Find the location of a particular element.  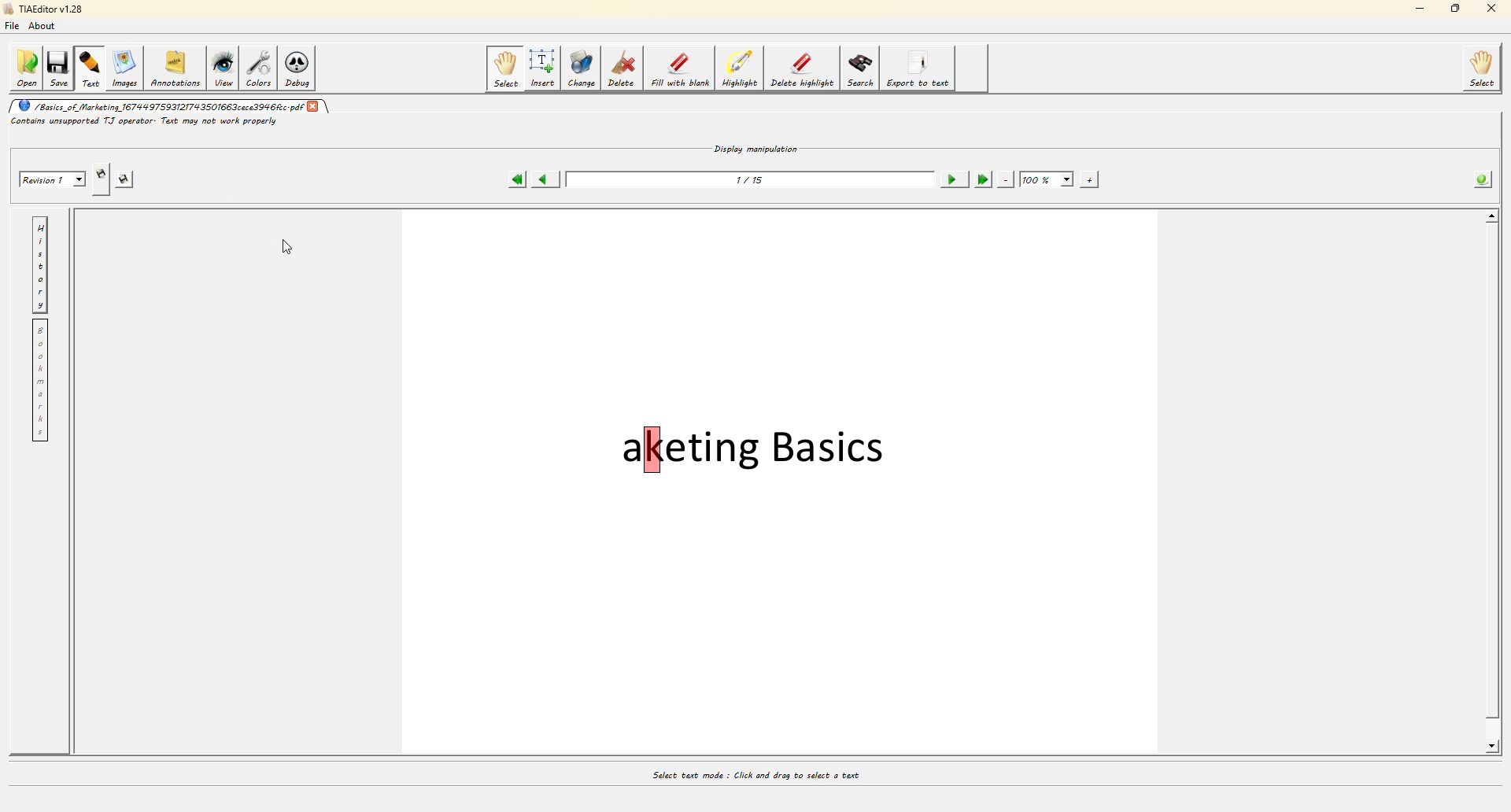

save the revision is located at coordinates (131, 177).